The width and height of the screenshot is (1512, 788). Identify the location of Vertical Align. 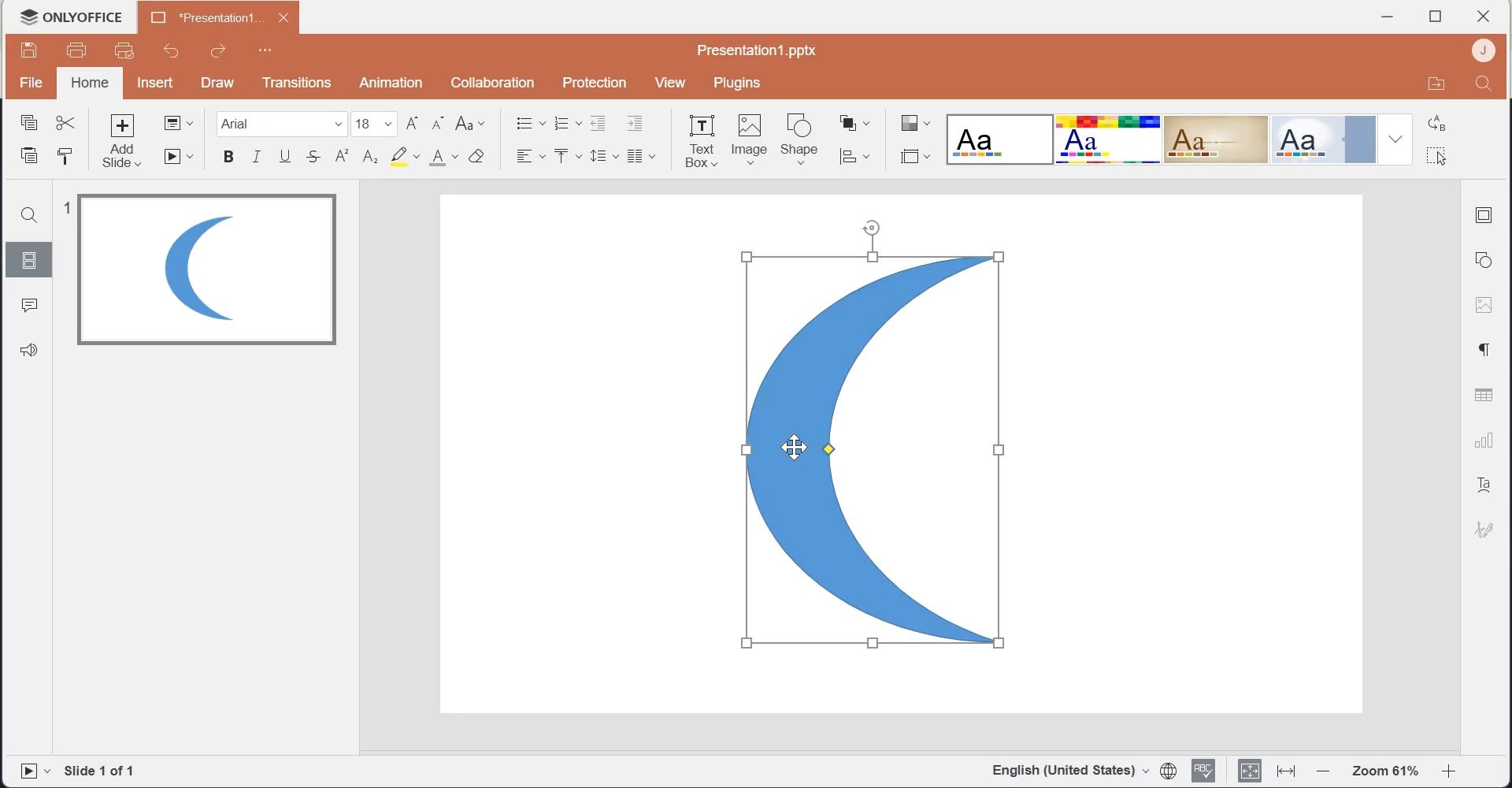
(569, 154).